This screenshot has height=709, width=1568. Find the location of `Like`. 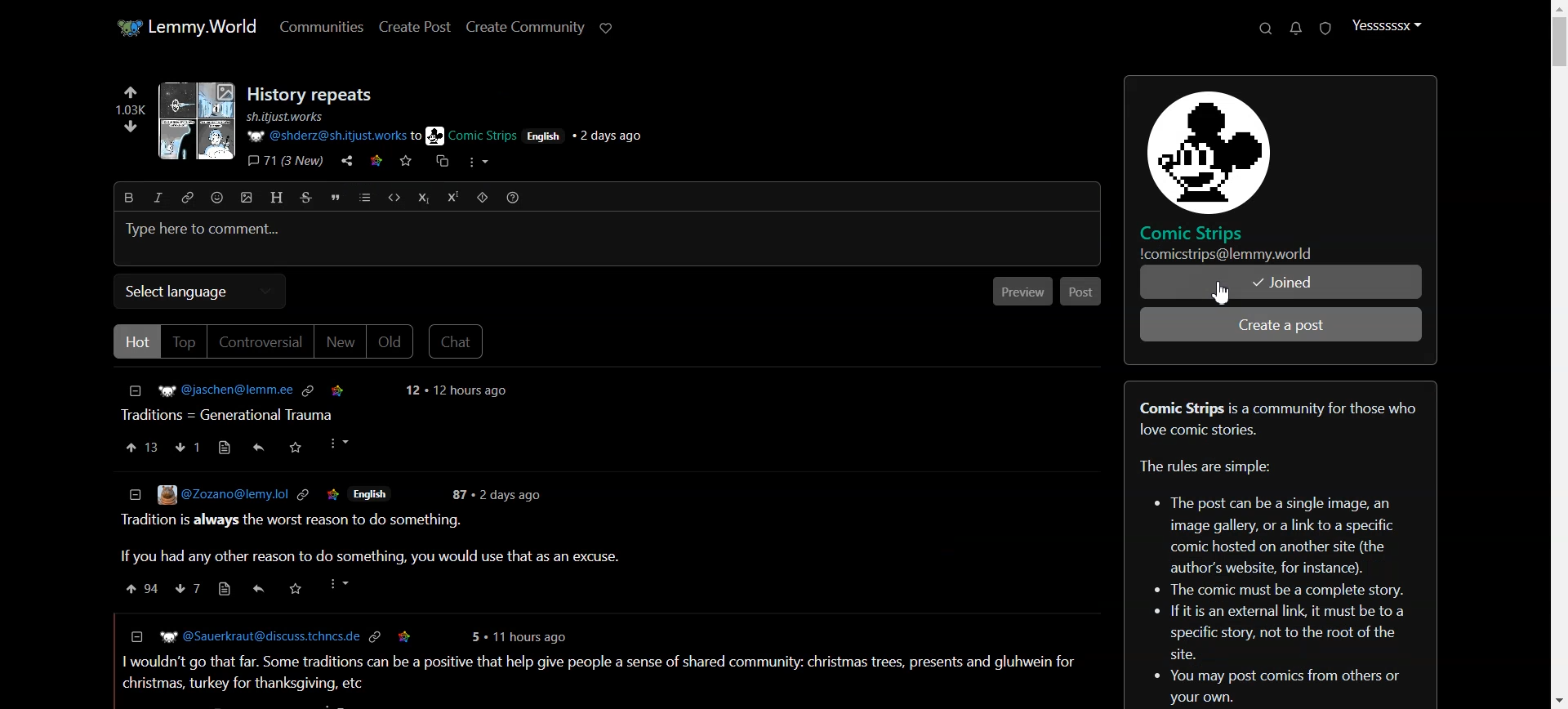

Like is located at coordinates (141, 447).